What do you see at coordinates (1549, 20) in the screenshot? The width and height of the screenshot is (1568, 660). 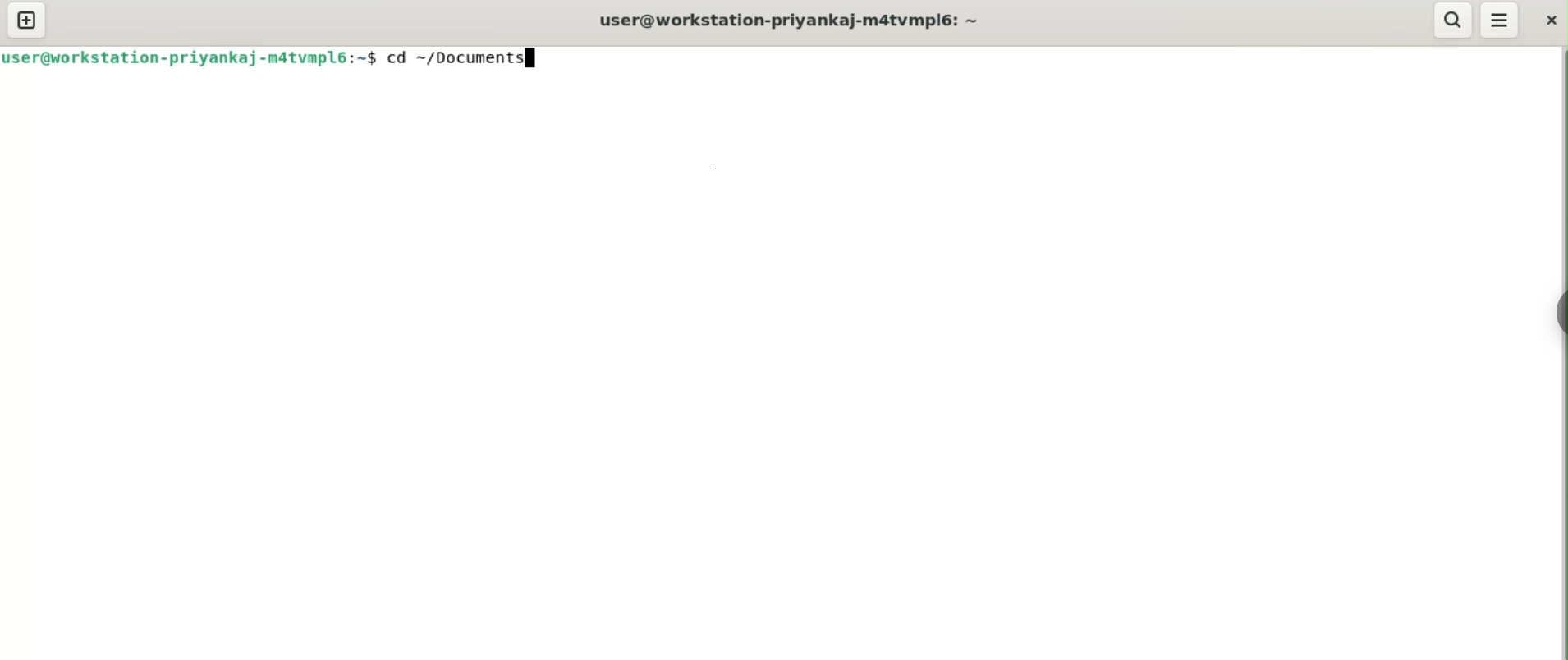 I see `close` at bounding box center [1549, 20].